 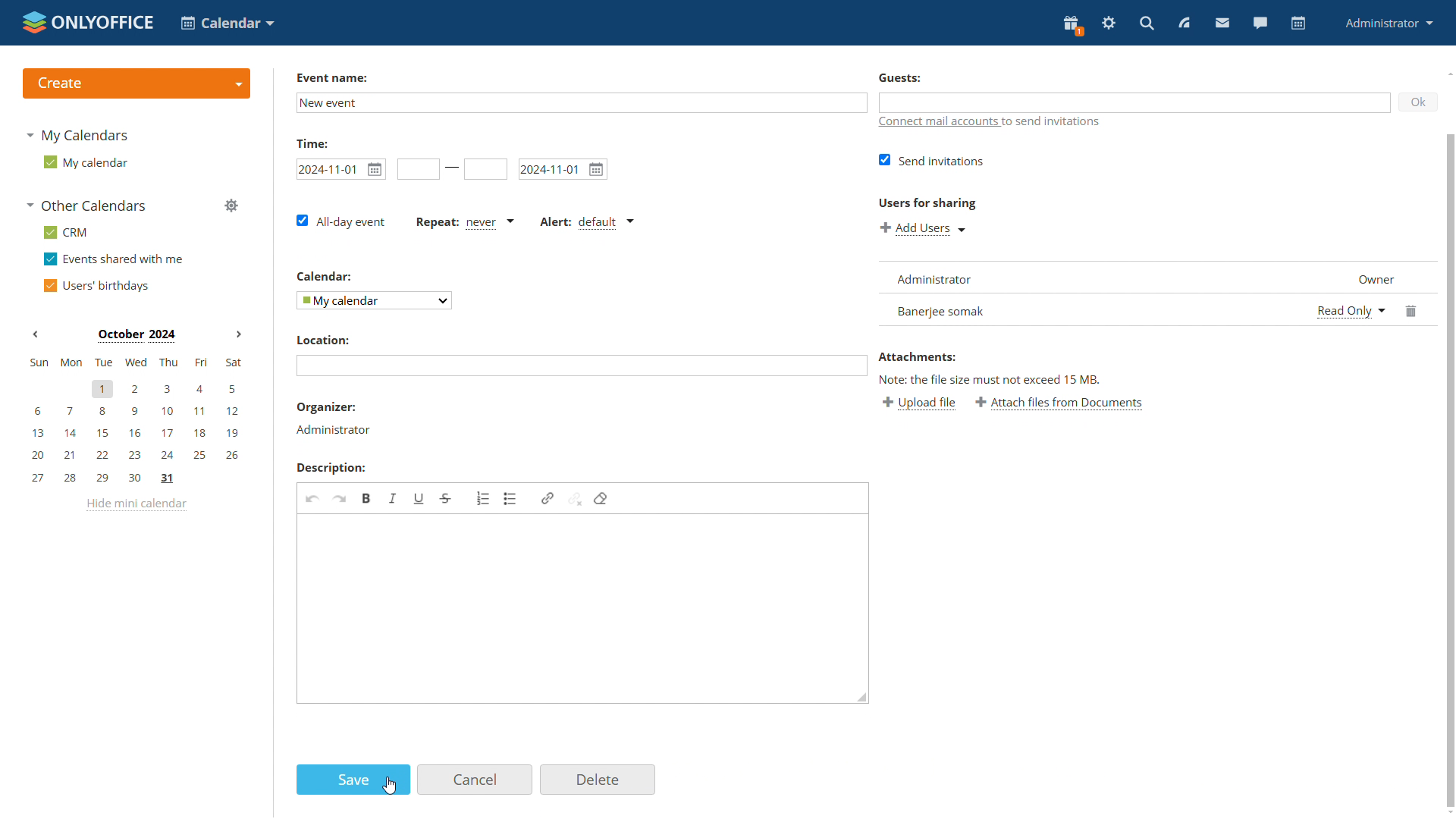 I want to click on Attachments, so click(x=920, y=356).